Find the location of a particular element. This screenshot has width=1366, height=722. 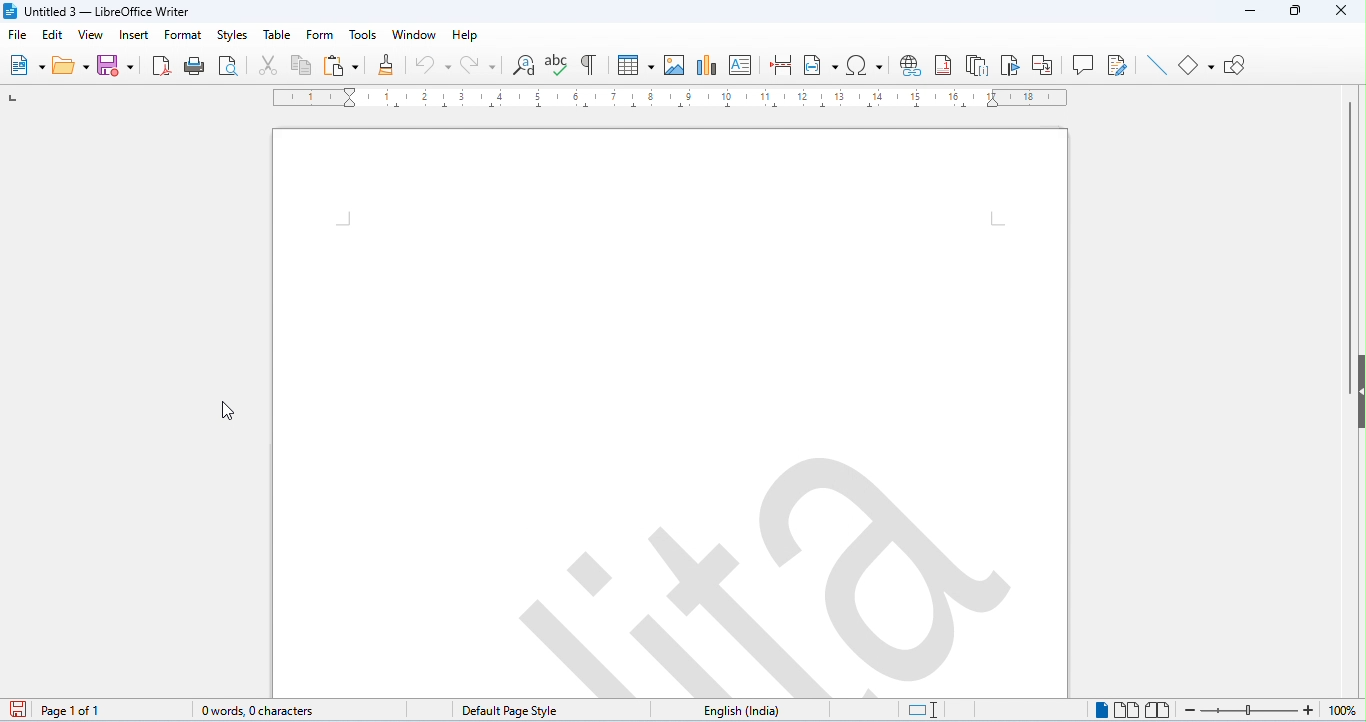

insert comment is located at coordinates (1084, 64).